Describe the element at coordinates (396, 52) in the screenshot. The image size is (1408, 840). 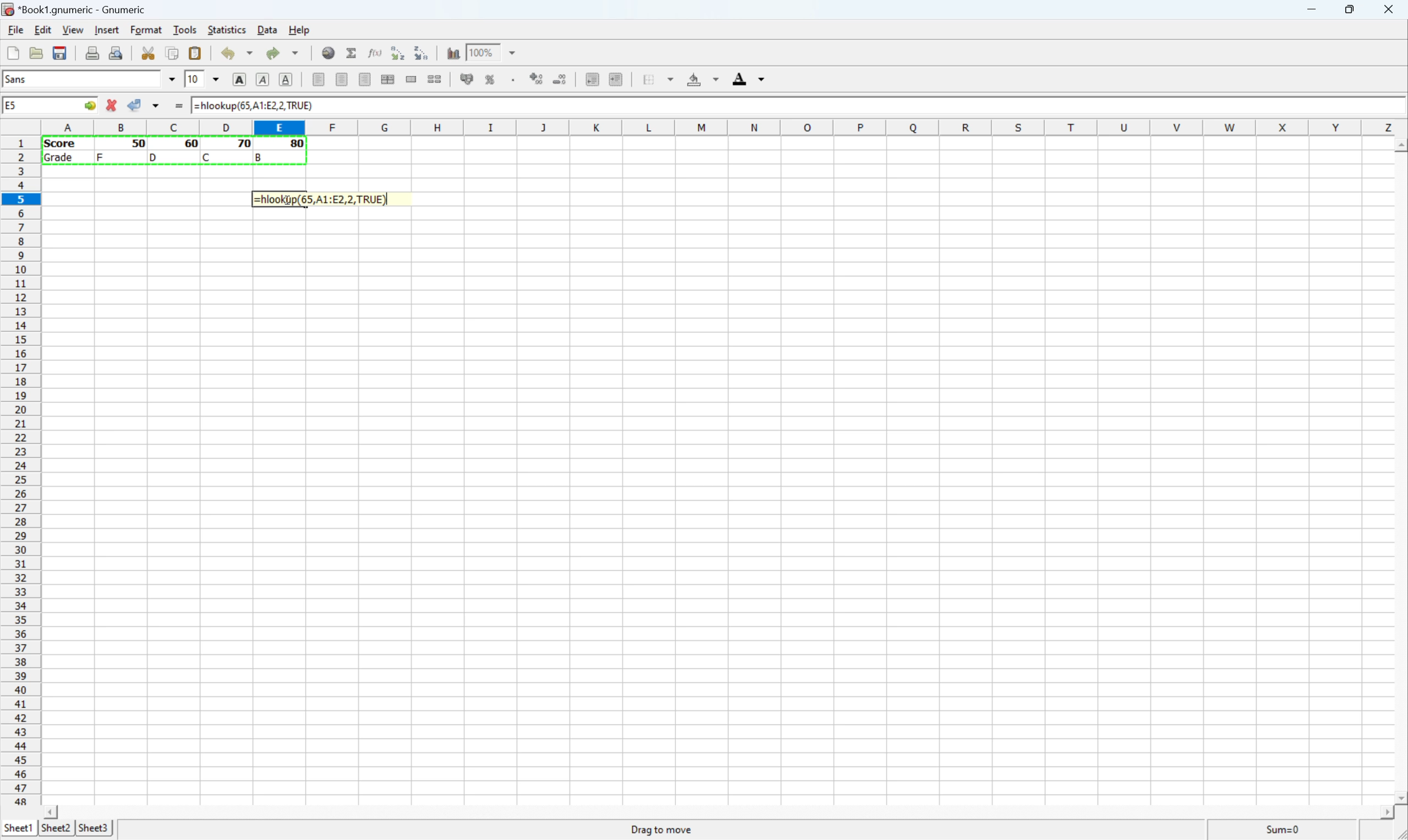
I see `sort the selected region in ascending order based on the first column selected ` at that location.